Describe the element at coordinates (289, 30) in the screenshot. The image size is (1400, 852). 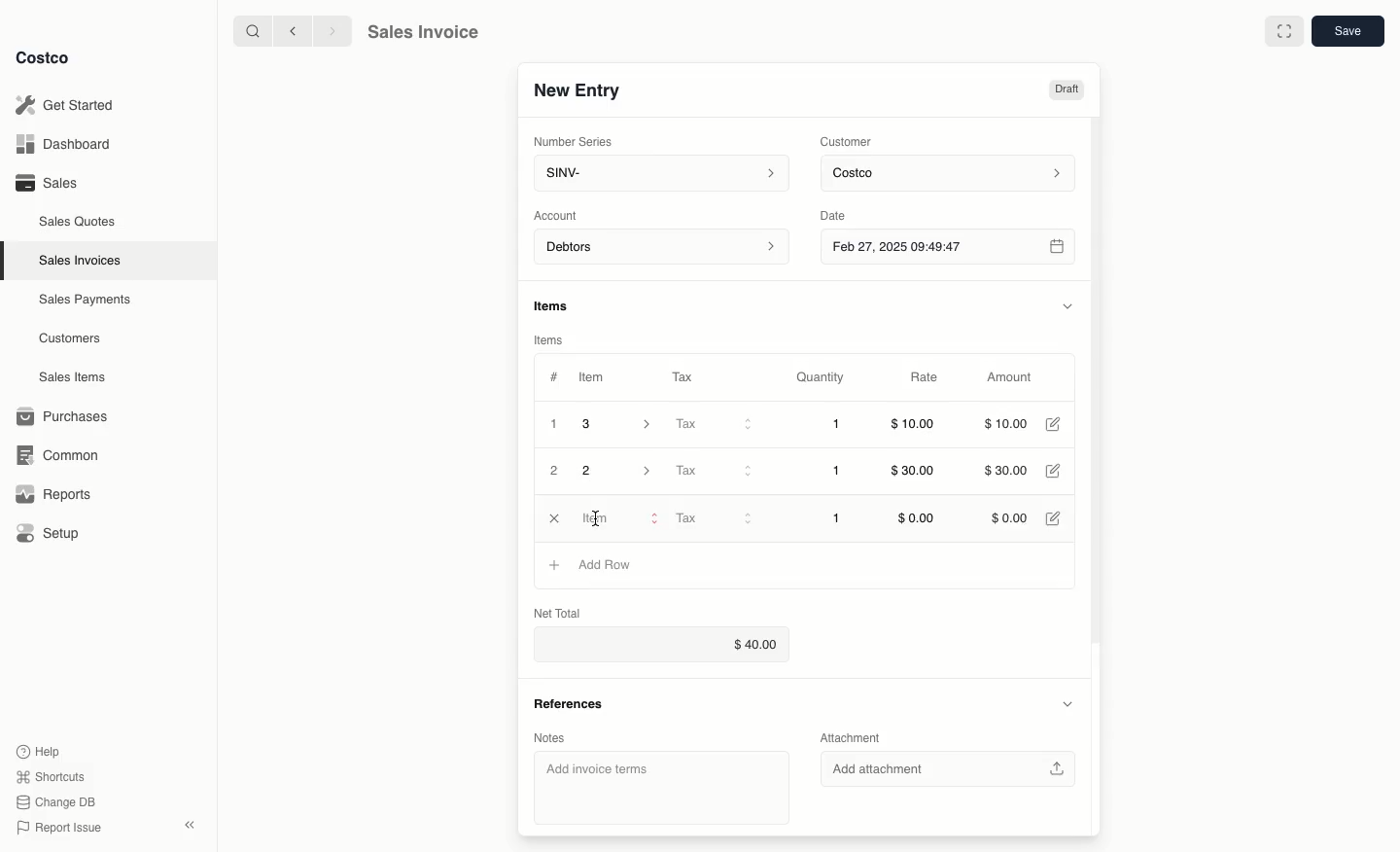
I see `backward` at that location.